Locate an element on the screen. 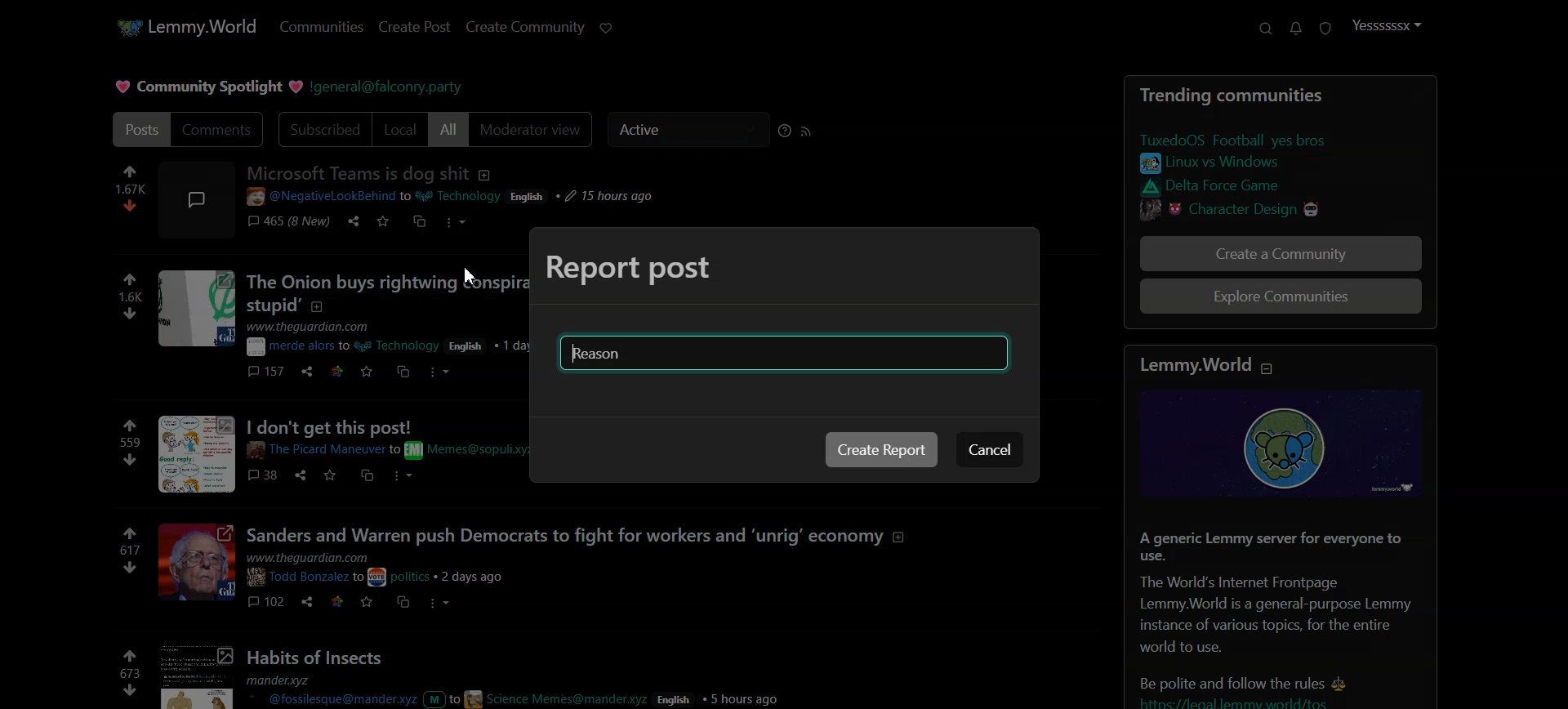 Image resolution: width=1568 pixels, height=709 pixels. posts is located at coordinates (380, 316).